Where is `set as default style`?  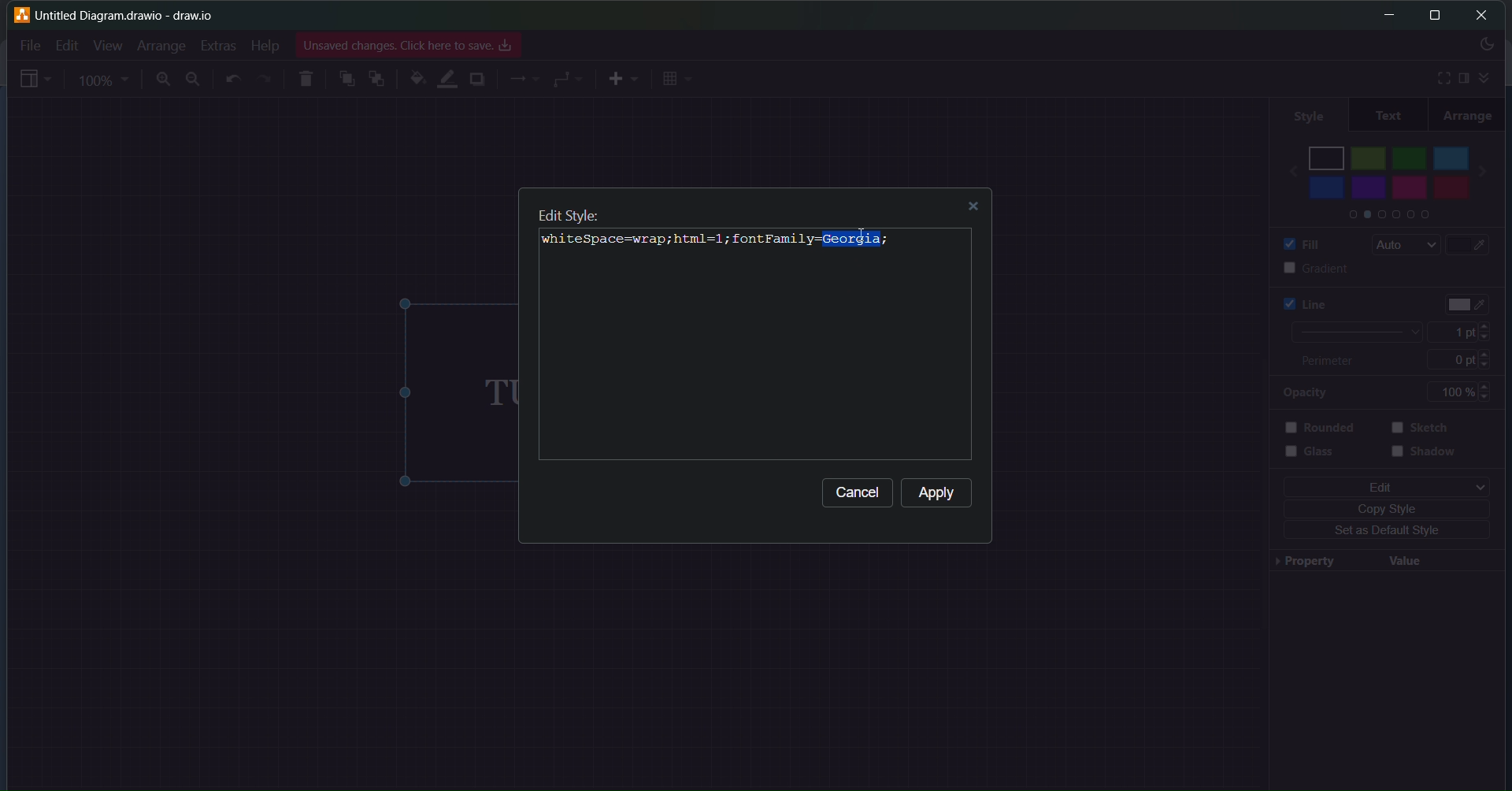
set as default style is located at coordinates (1381, 532).